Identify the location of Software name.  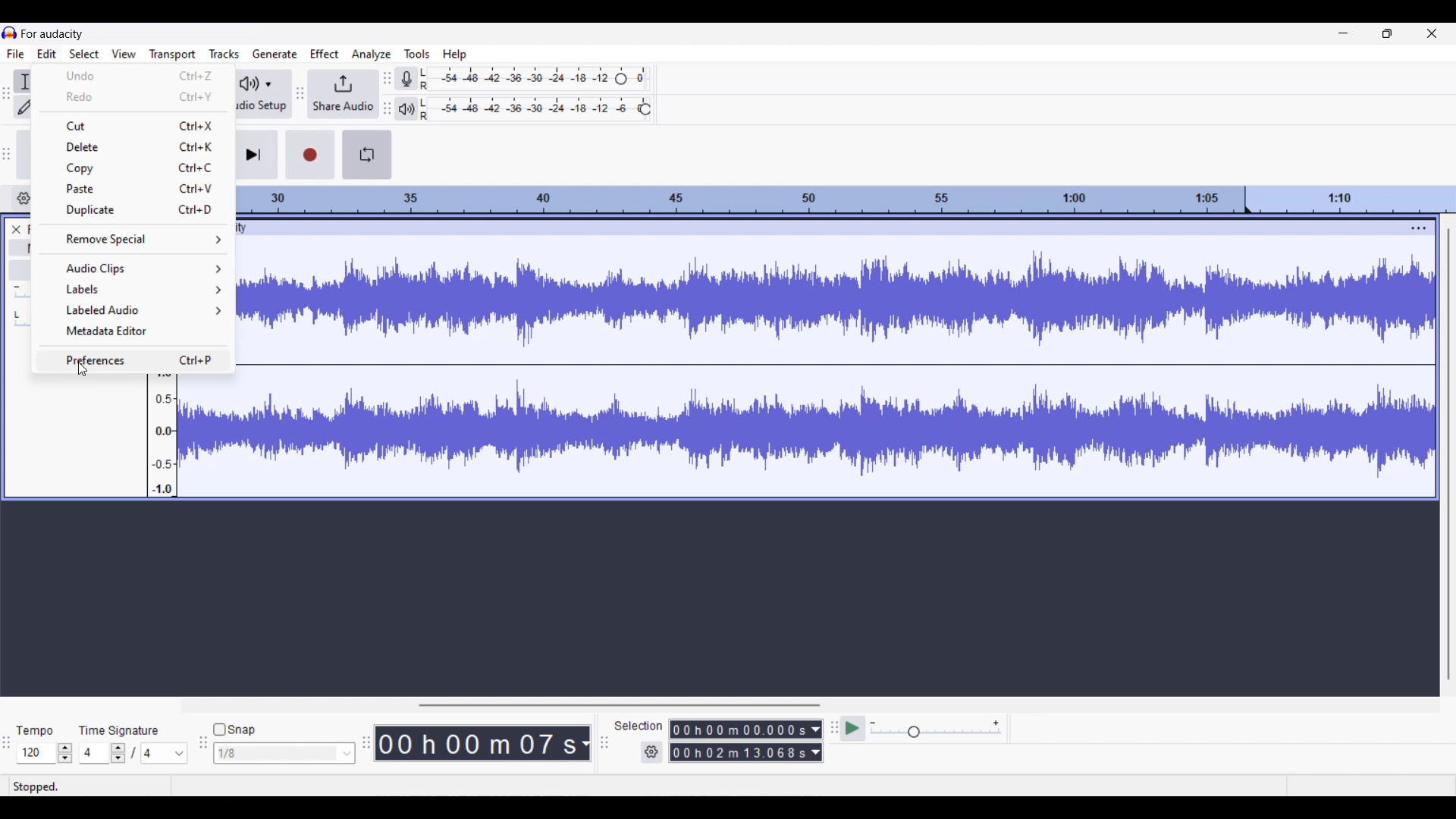
(53, 34).